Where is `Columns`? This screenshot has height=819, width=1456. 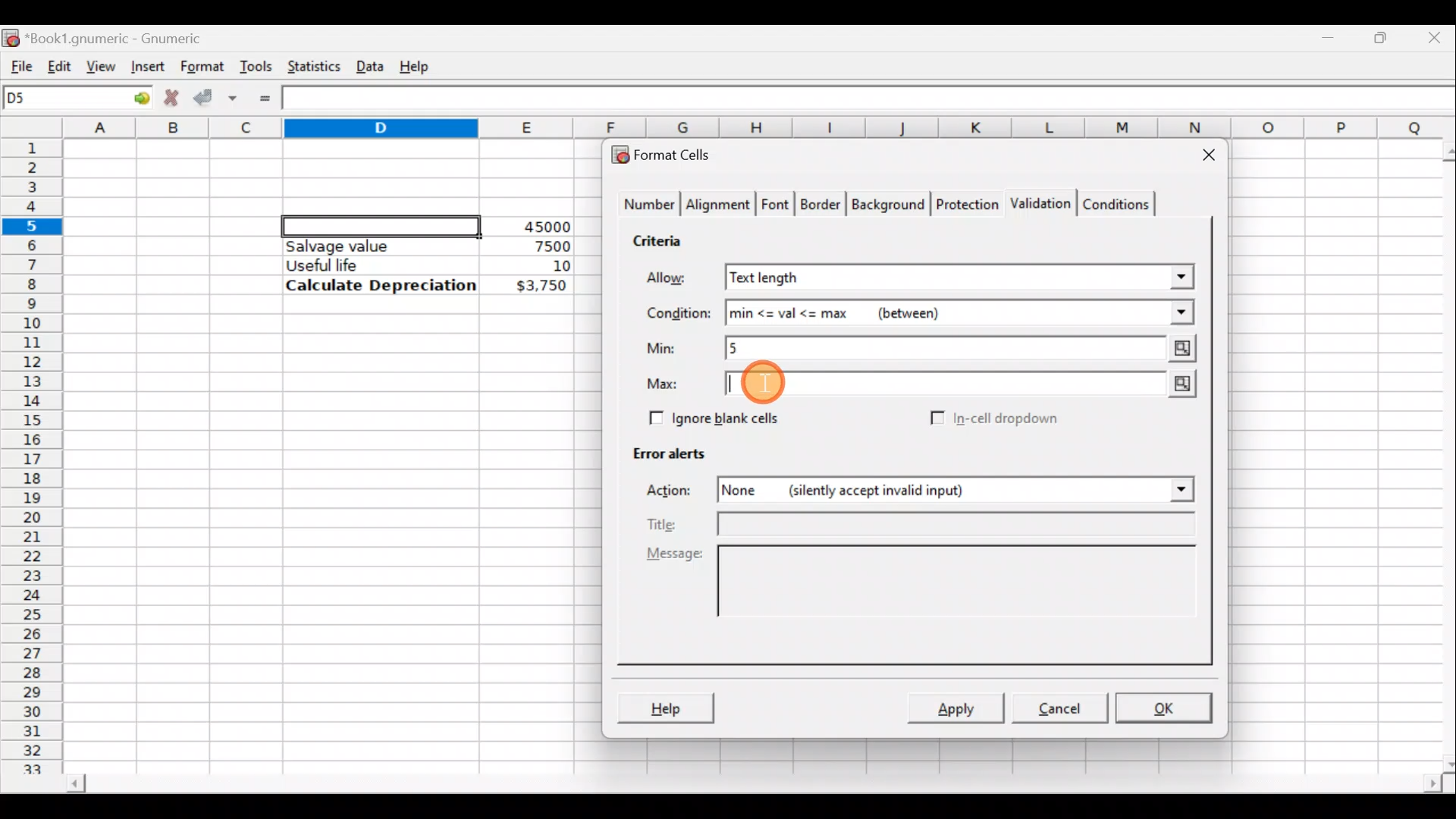 Columns is located at coordinates (761, 128).